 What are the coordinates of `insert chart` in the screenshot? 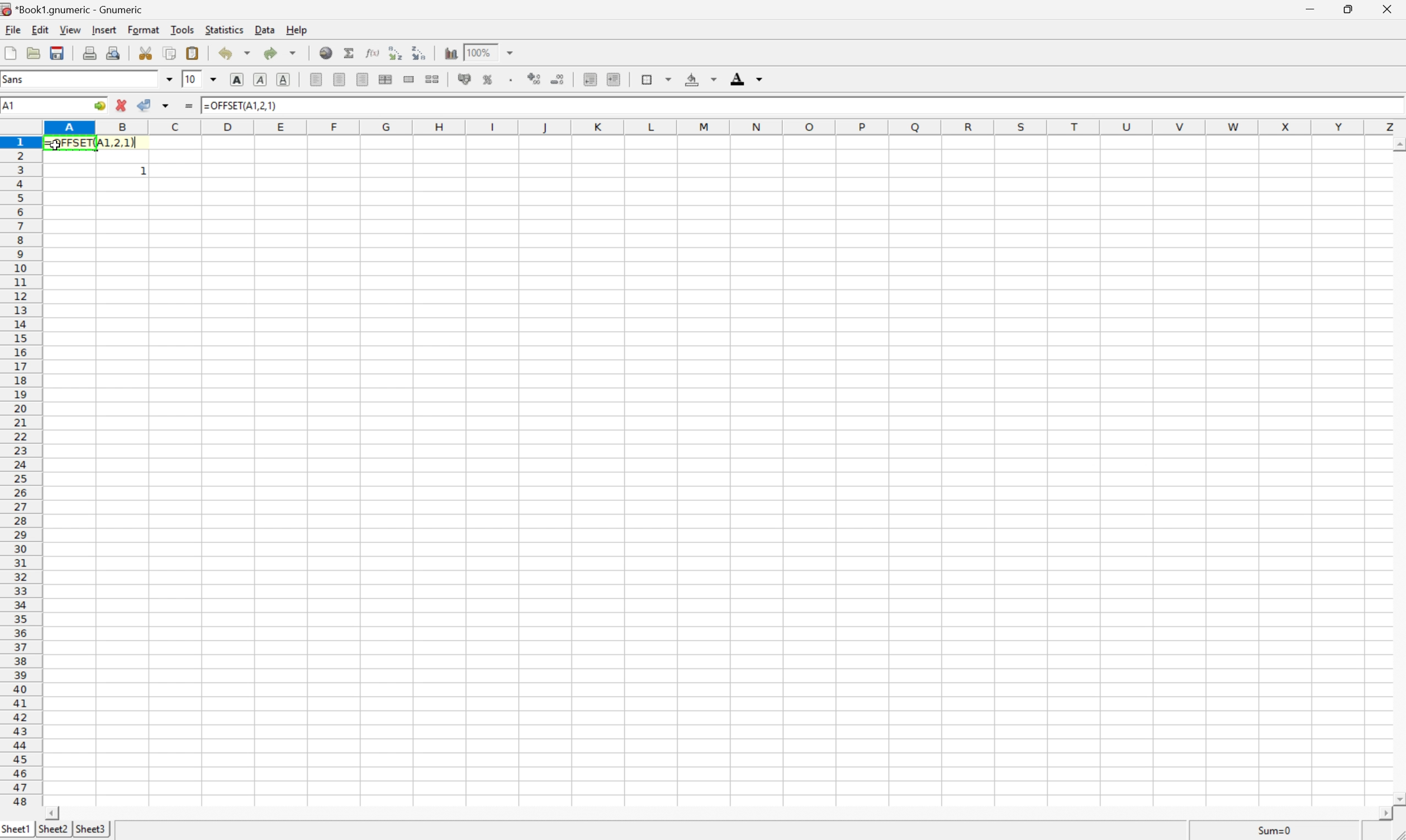 It's located at (451, 52).